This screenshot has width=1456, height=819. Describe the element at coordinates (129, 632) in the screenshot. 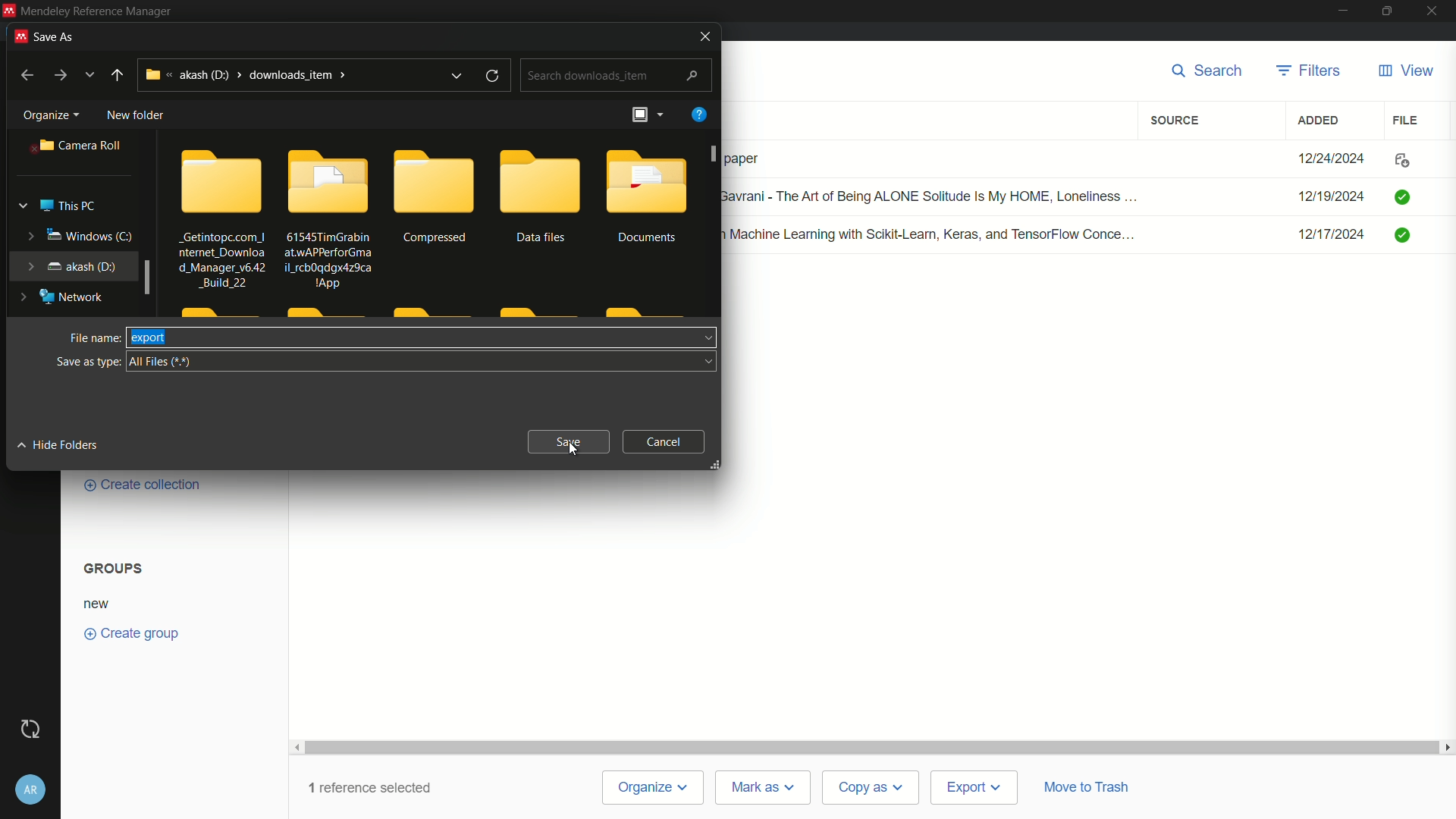

I see `create group` at that location.